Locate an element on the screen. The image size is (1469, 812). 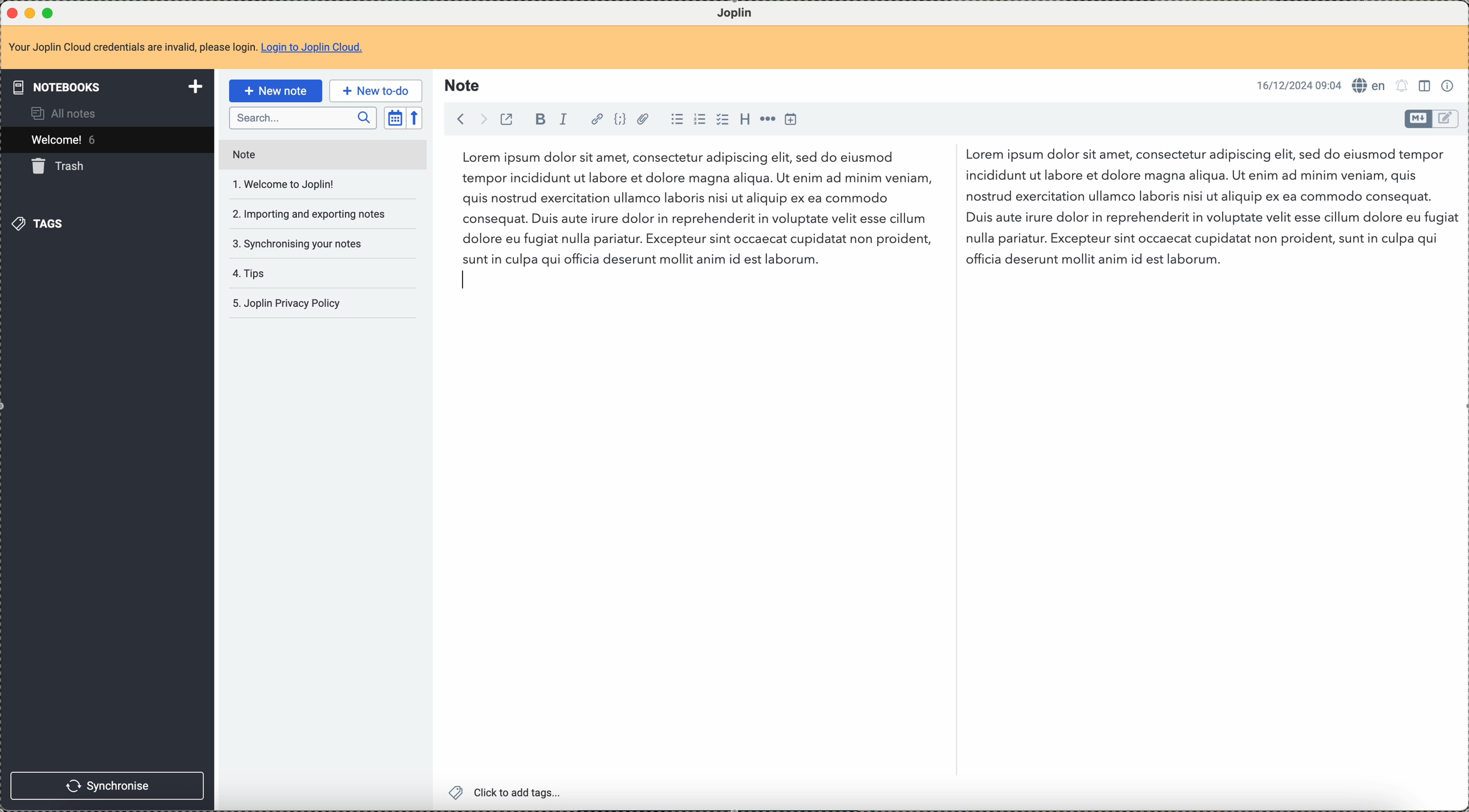
synchronising your notes is located at coordinates (298, 245).